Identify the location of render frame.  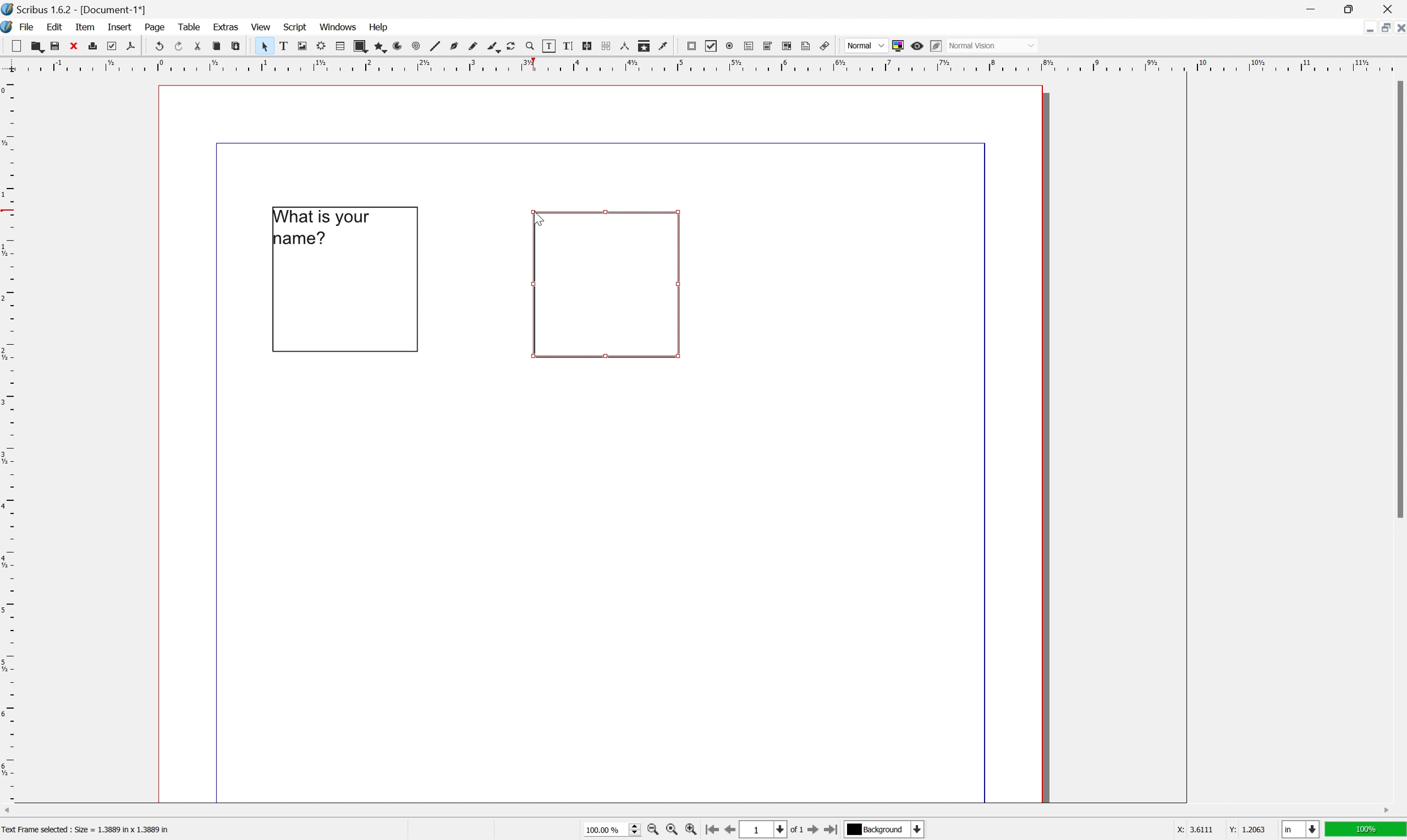
(320, 45).